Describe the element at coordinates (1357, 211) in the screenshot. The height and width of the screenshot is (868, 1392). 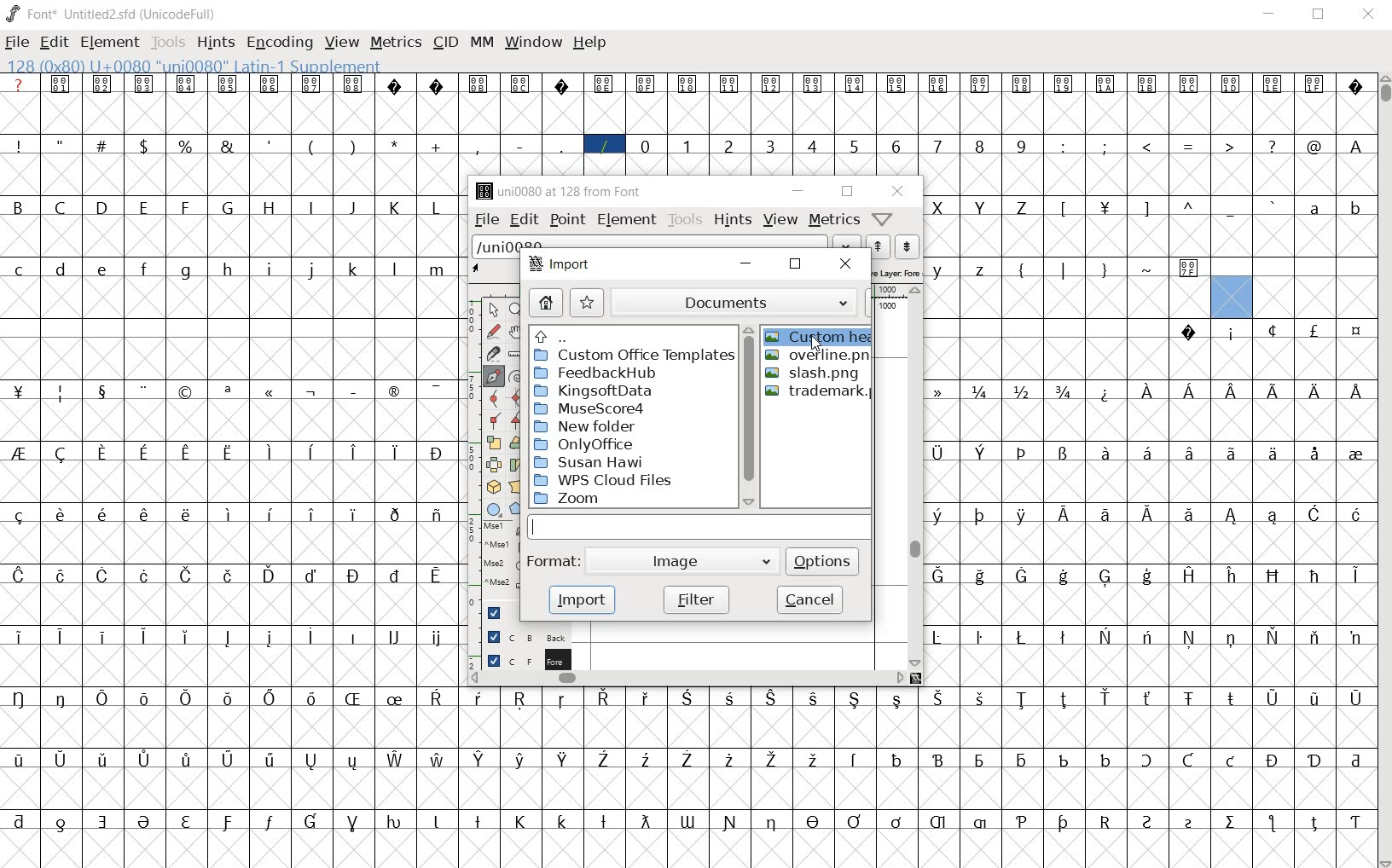
I see `glyph` at that location.